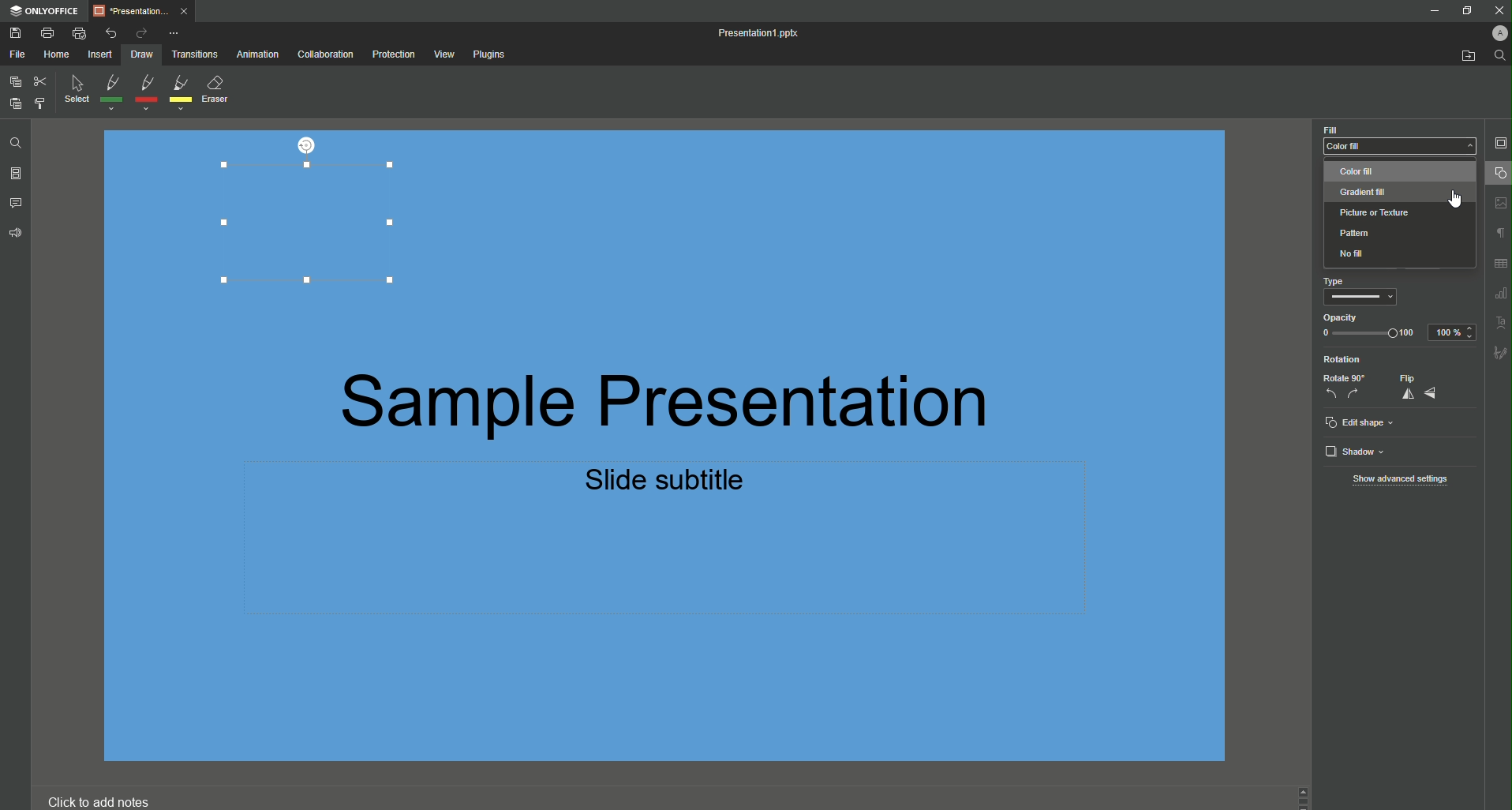 This screenshot has height=810, width=1512. What do you see at coordinates (182, 93) in the screenshot?
I see `Yellow` at bounding box center [182, 93].